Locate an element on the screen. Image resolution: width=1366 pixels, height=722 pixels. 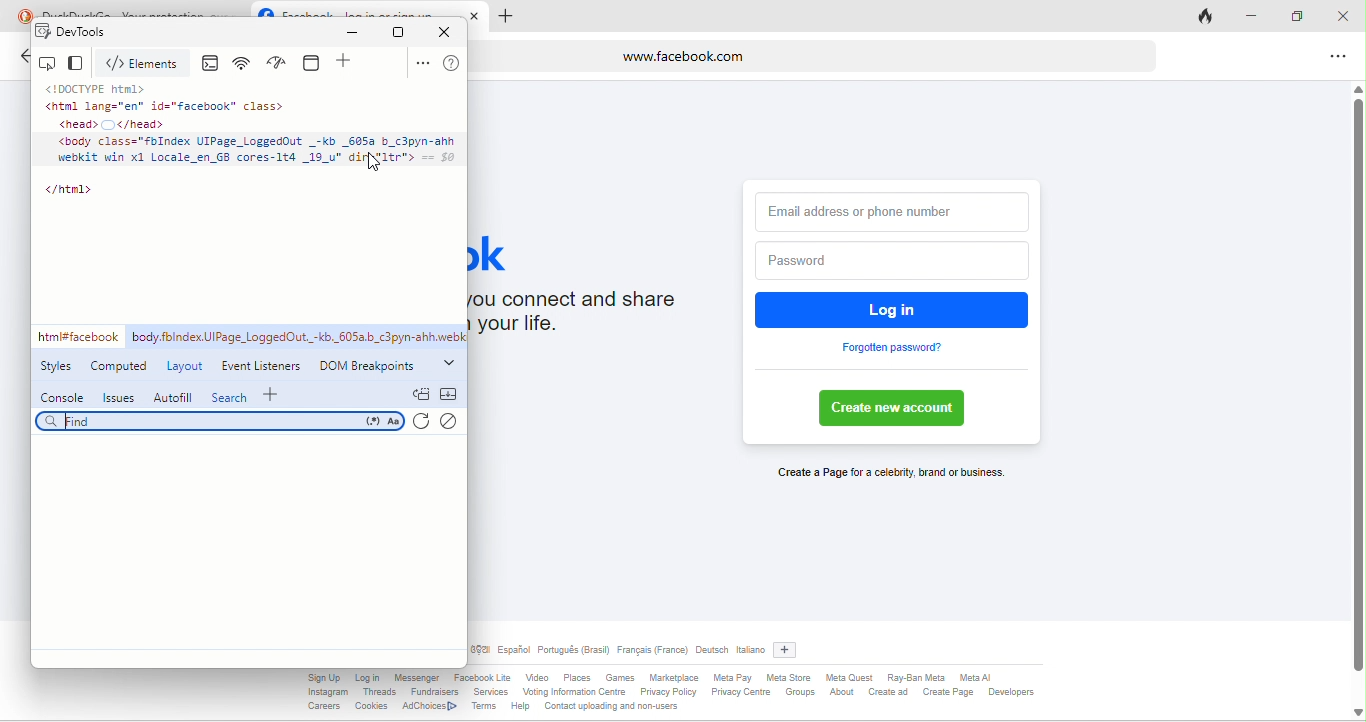
different type of language is located at coordinates (618, 652).